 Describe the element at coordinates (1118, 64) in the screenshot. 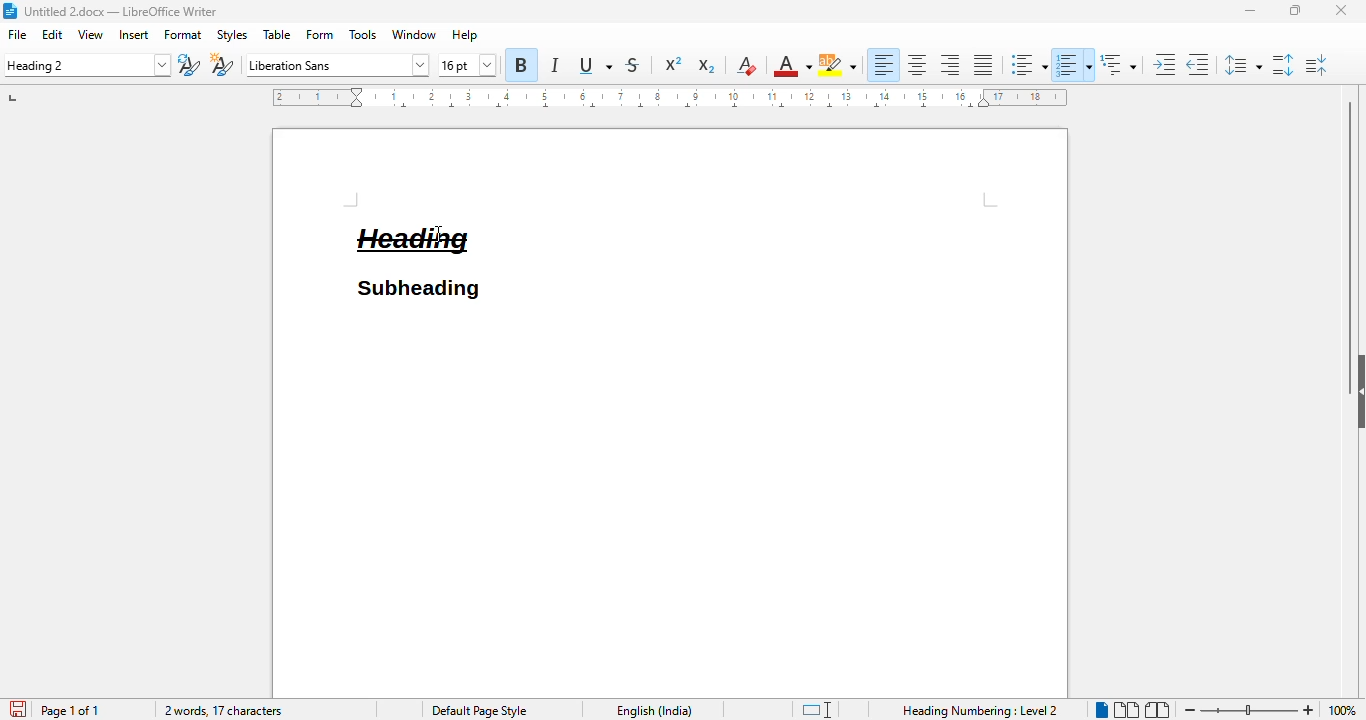

I see `set outline format` at that location.